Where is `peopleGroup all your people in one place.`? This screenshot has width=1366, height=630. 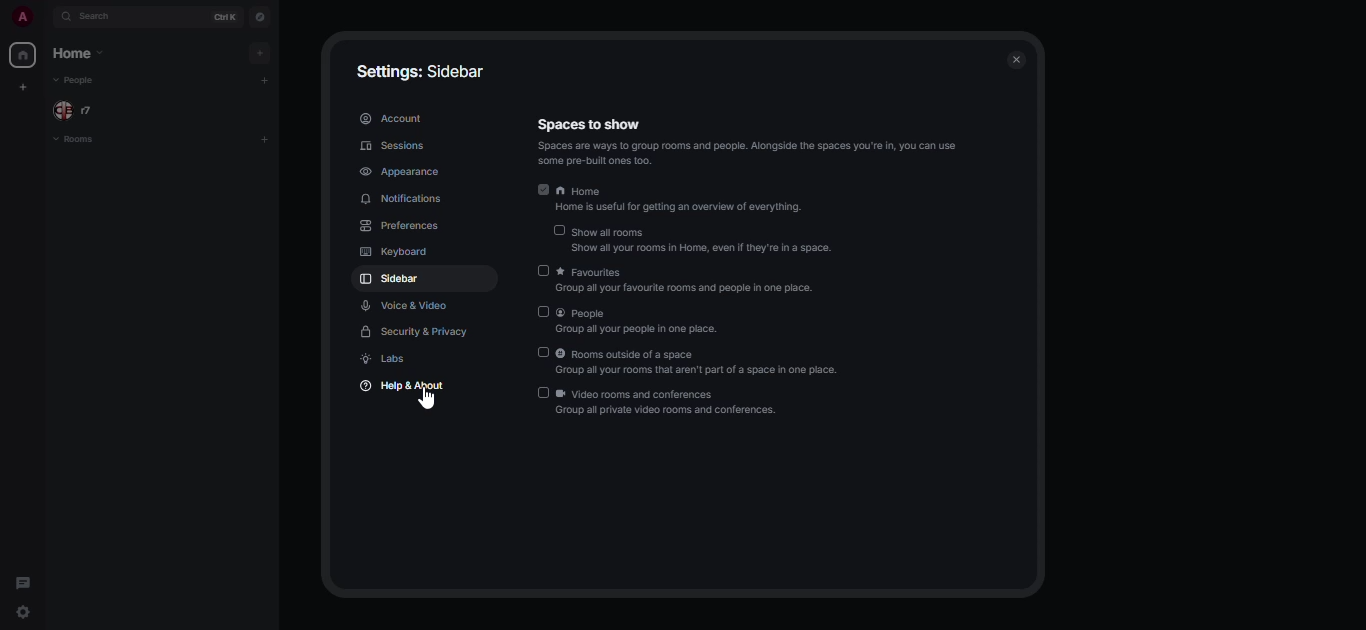 peopleGroup all your people in one place. is located at coordinates (625, 320).